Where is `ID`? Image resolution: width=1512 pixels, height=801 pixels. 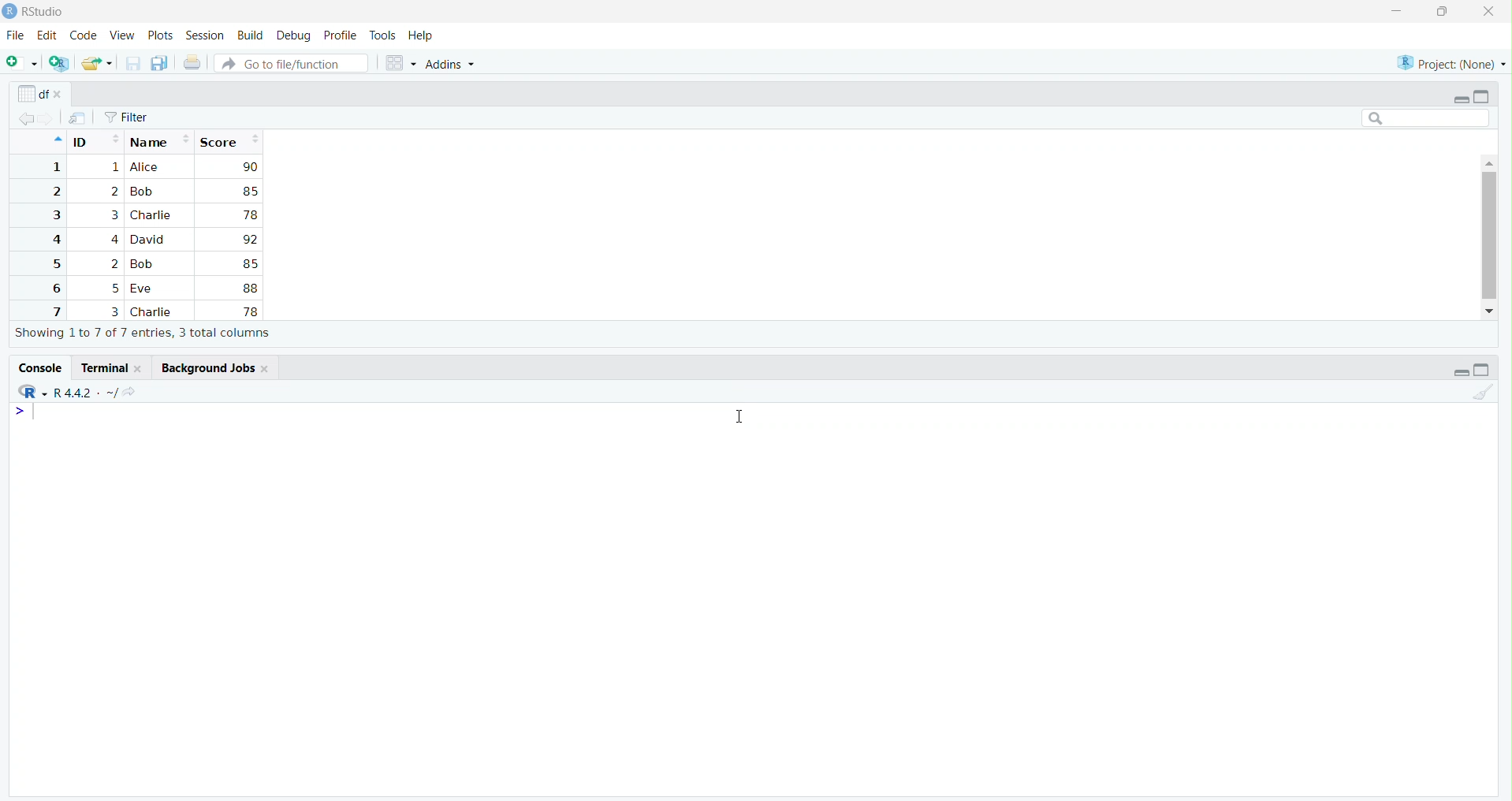
ID is located at coordinates (95, 140).